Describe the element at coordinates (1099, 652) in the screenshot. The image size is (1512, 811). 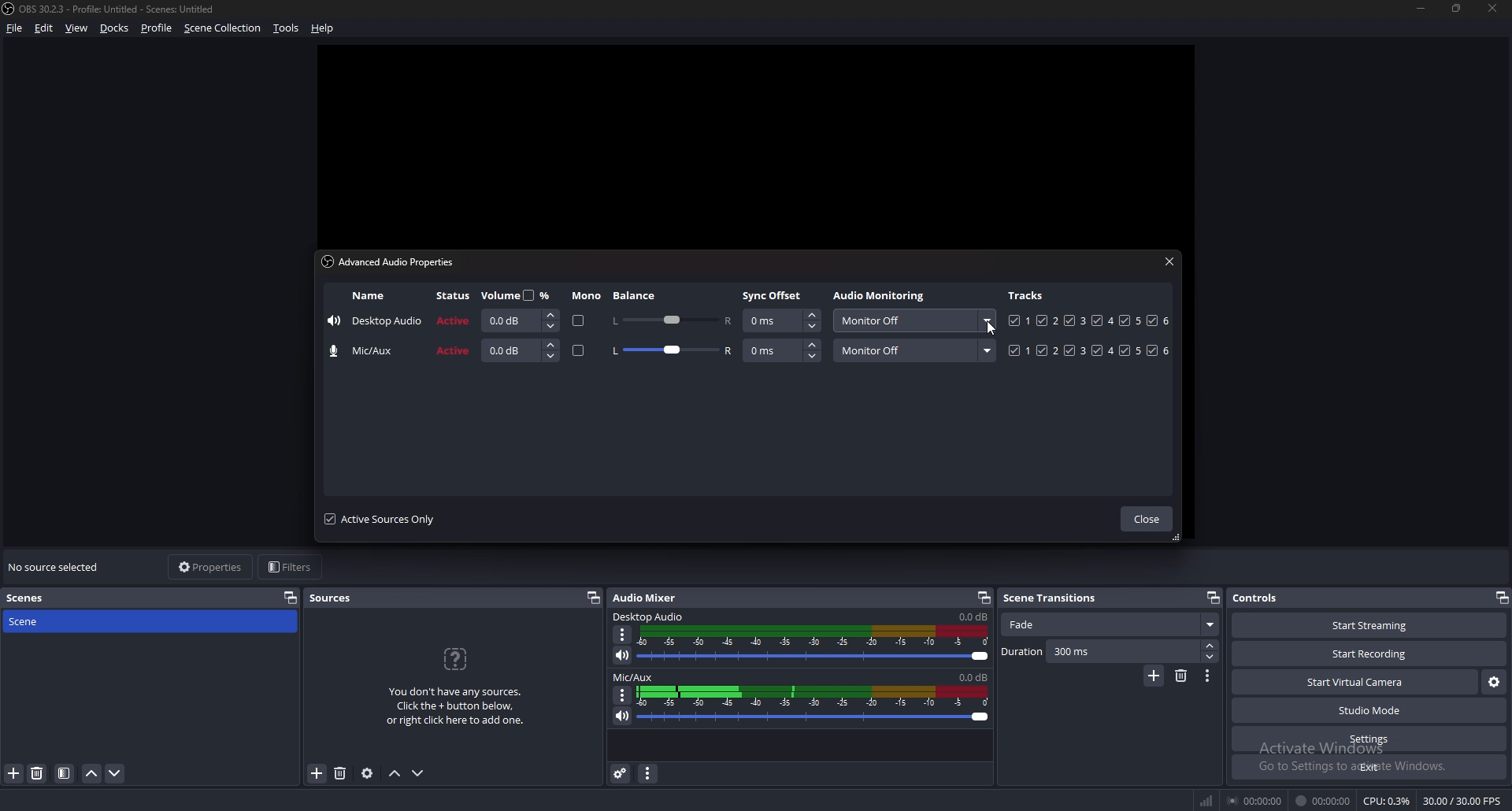
I see `duration` at that location.